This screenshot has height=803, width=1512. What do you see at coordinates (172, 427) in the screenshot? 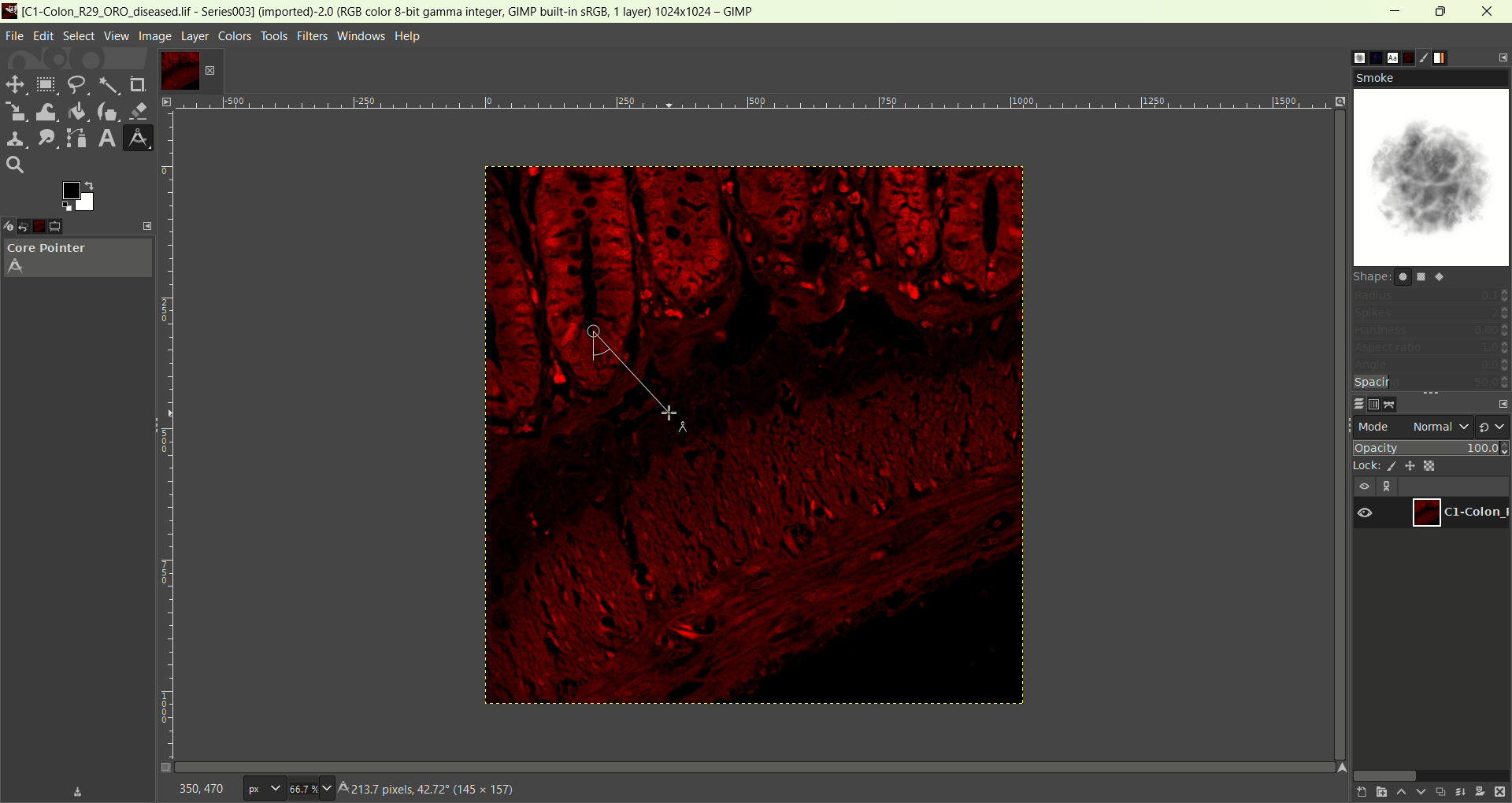
I see `scale bar` at bounding box center [172, 427].